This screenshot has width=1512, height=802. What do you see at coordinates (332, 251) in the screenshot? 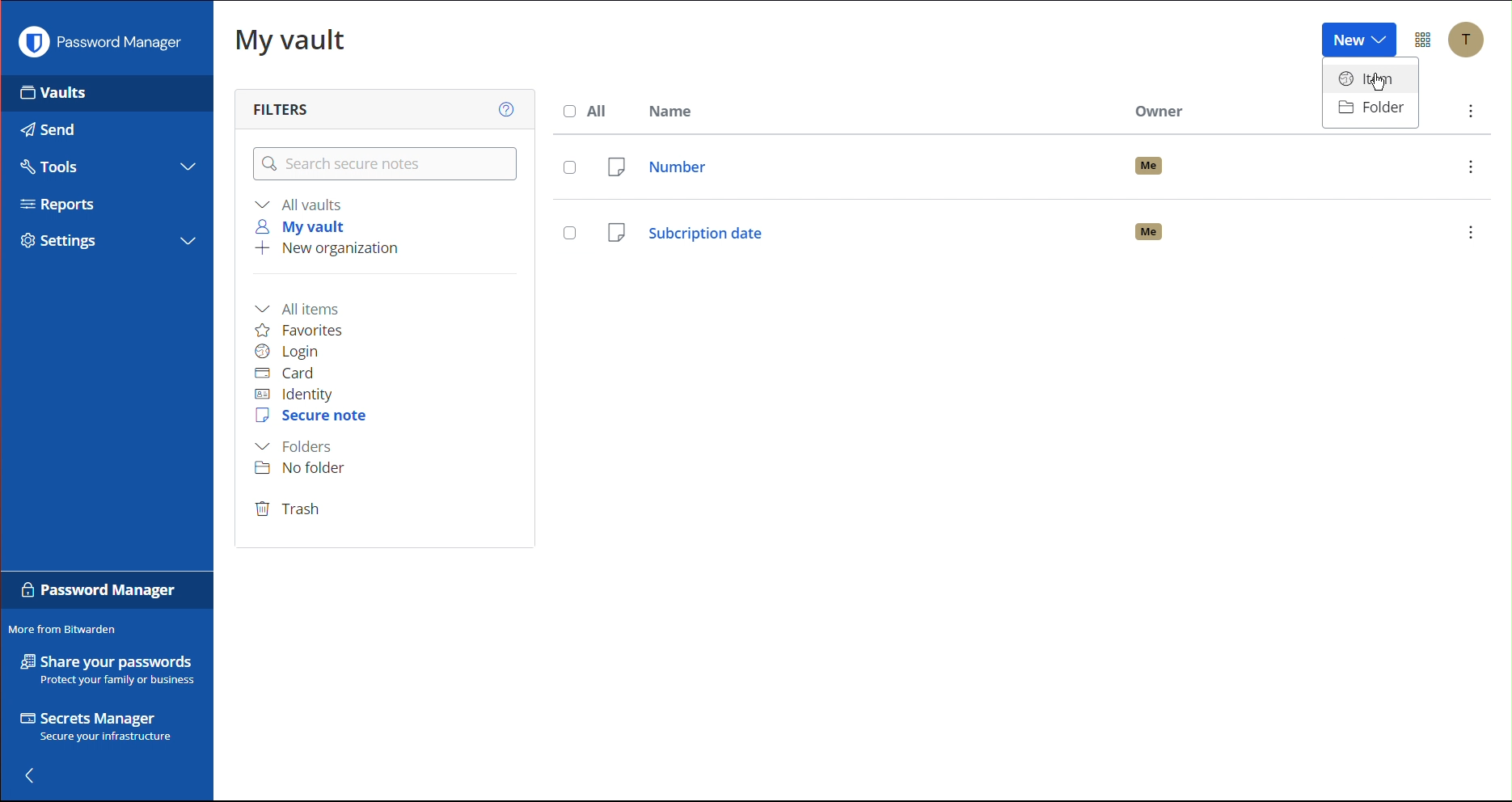
I see `New organization` at bounding box center [332, 251].